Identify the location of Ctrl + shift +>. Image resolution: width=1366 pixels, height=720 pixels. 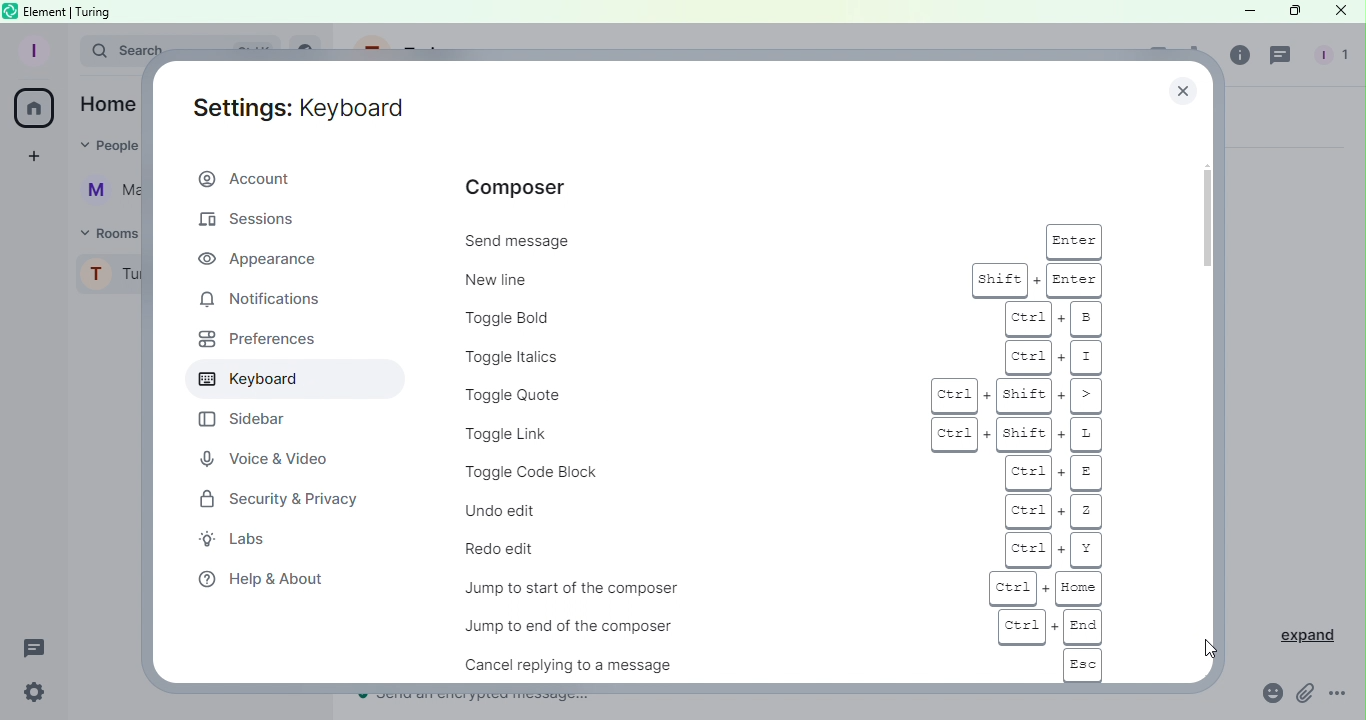
(1019, 398).